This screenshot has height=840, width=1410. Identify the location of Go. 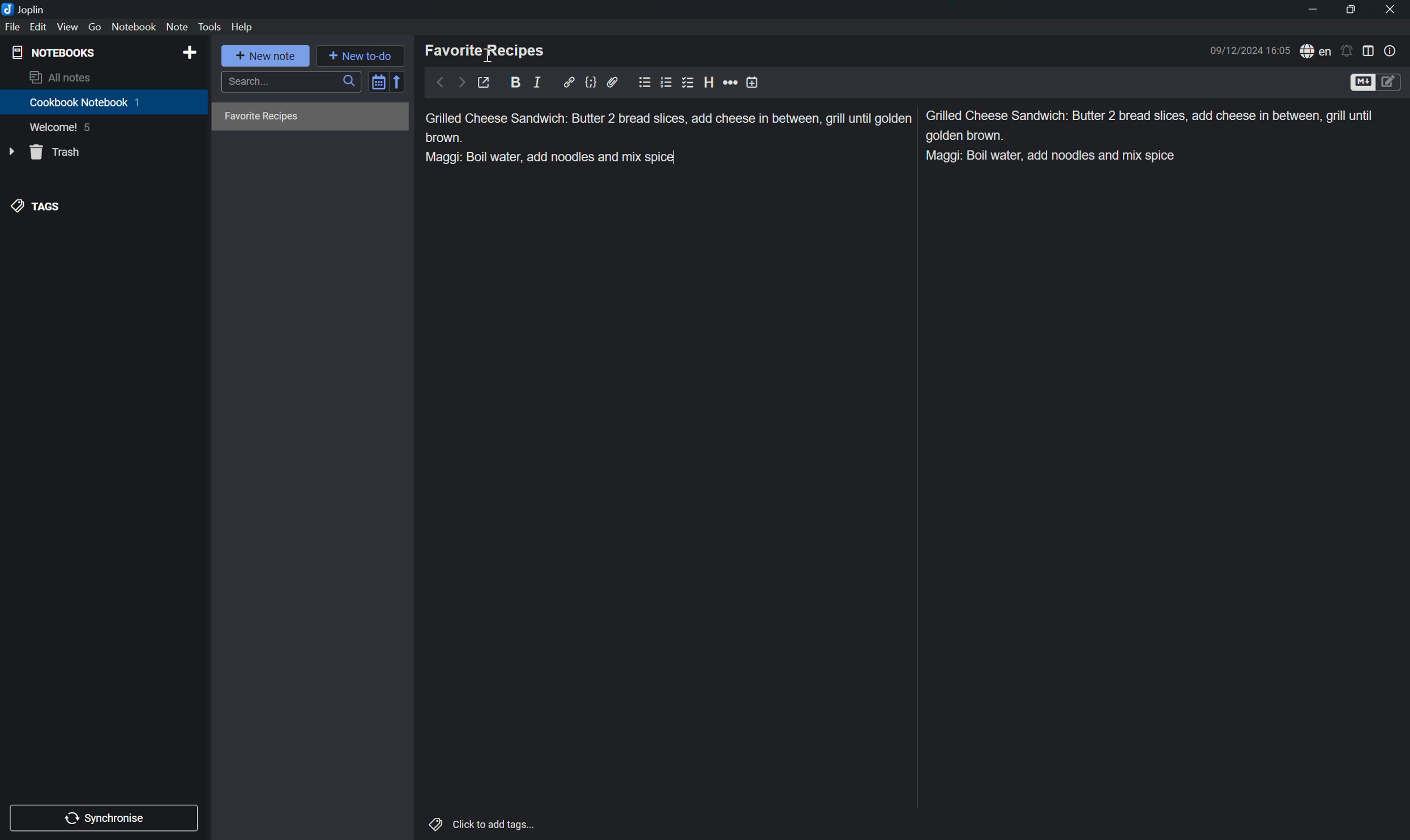
(96, 27).